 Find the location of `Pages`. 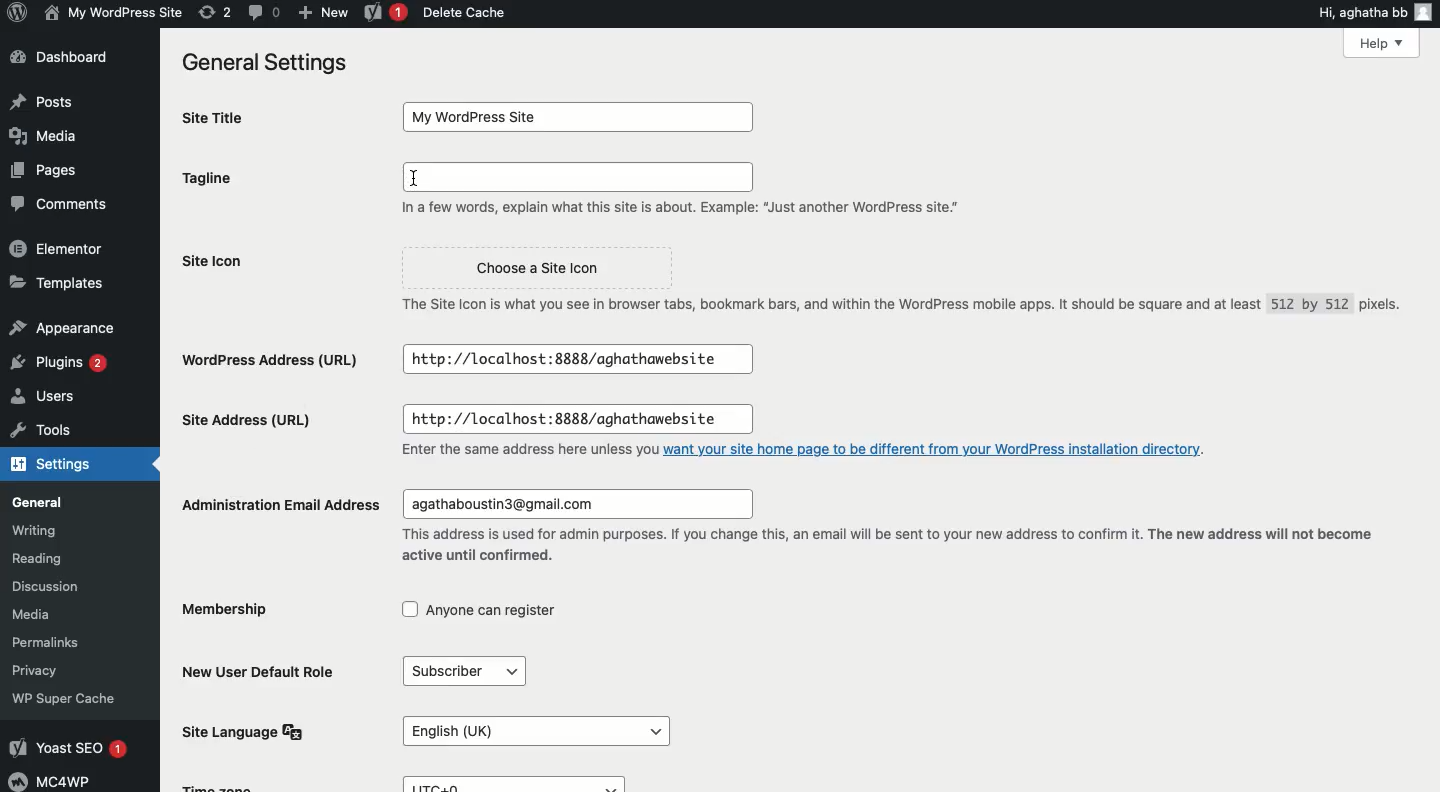

Pages is located at coordinates (40, 172).